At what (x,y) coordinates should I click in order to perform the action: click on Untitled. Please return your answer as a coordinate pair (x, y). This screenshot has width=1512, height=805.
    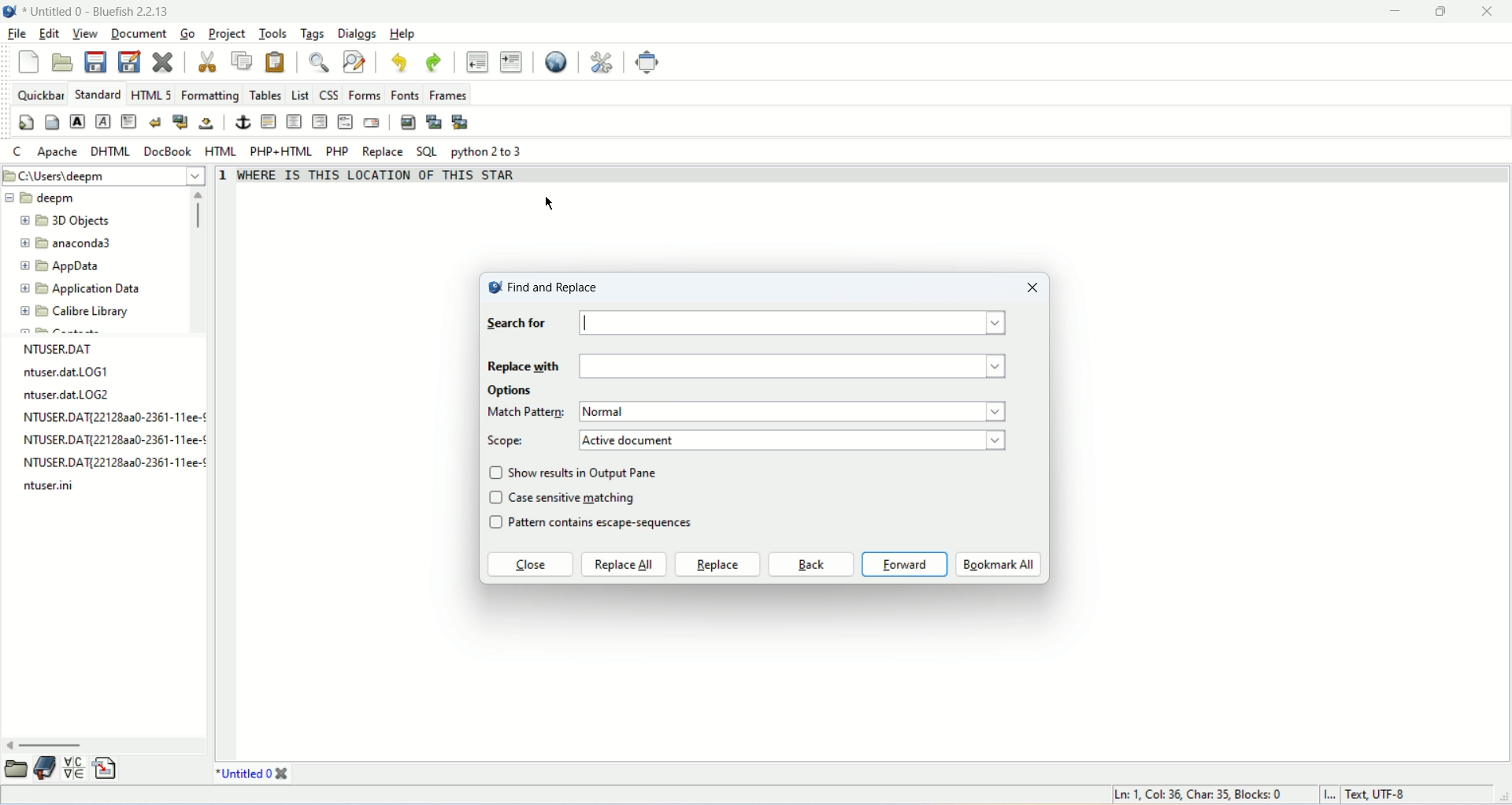
    Looking at the image, I should click on (243, 773).